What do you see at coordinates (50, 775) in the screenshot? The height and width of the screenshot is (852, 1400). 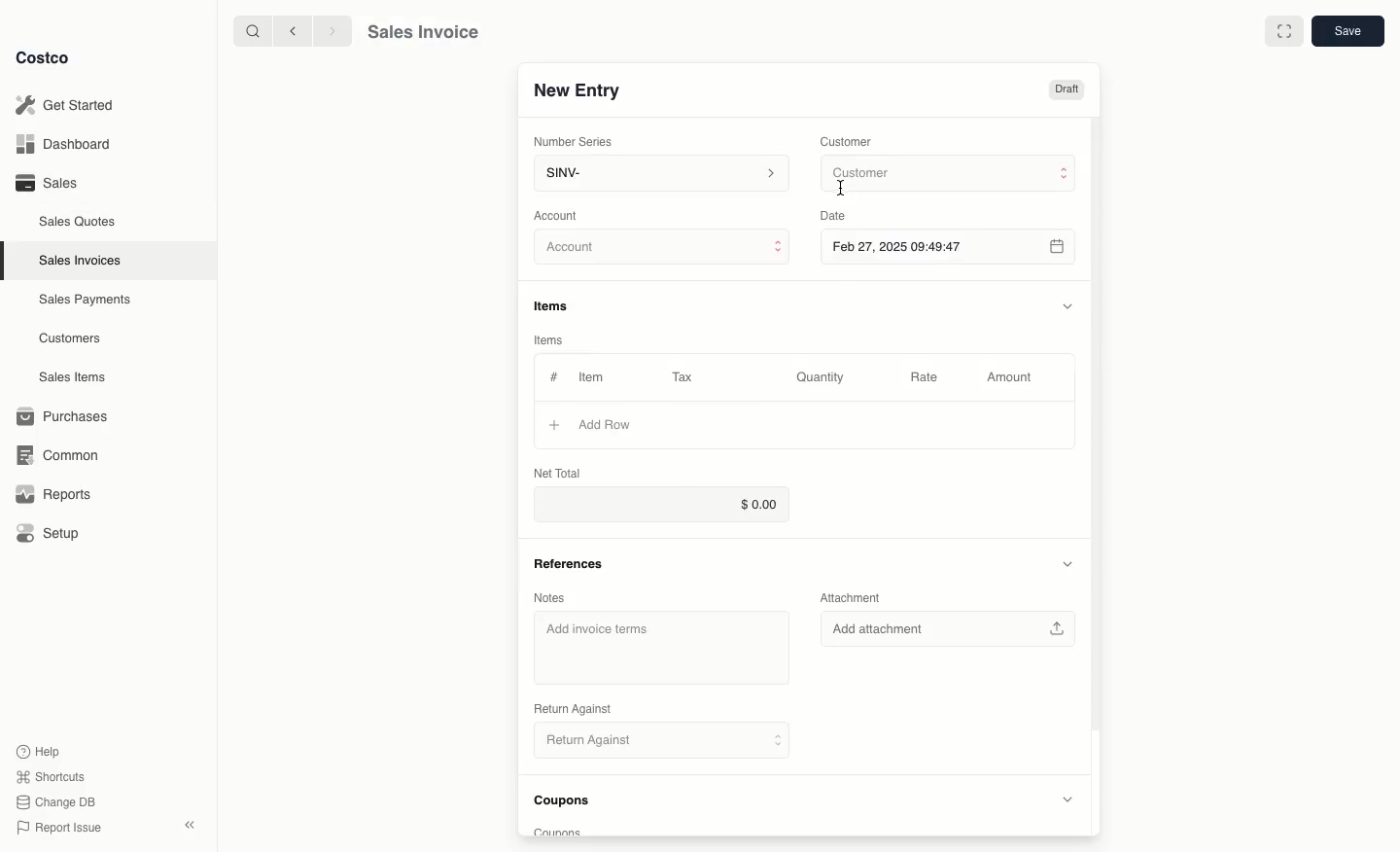 I see `Shortcuts` at bounding box center [50, 775].